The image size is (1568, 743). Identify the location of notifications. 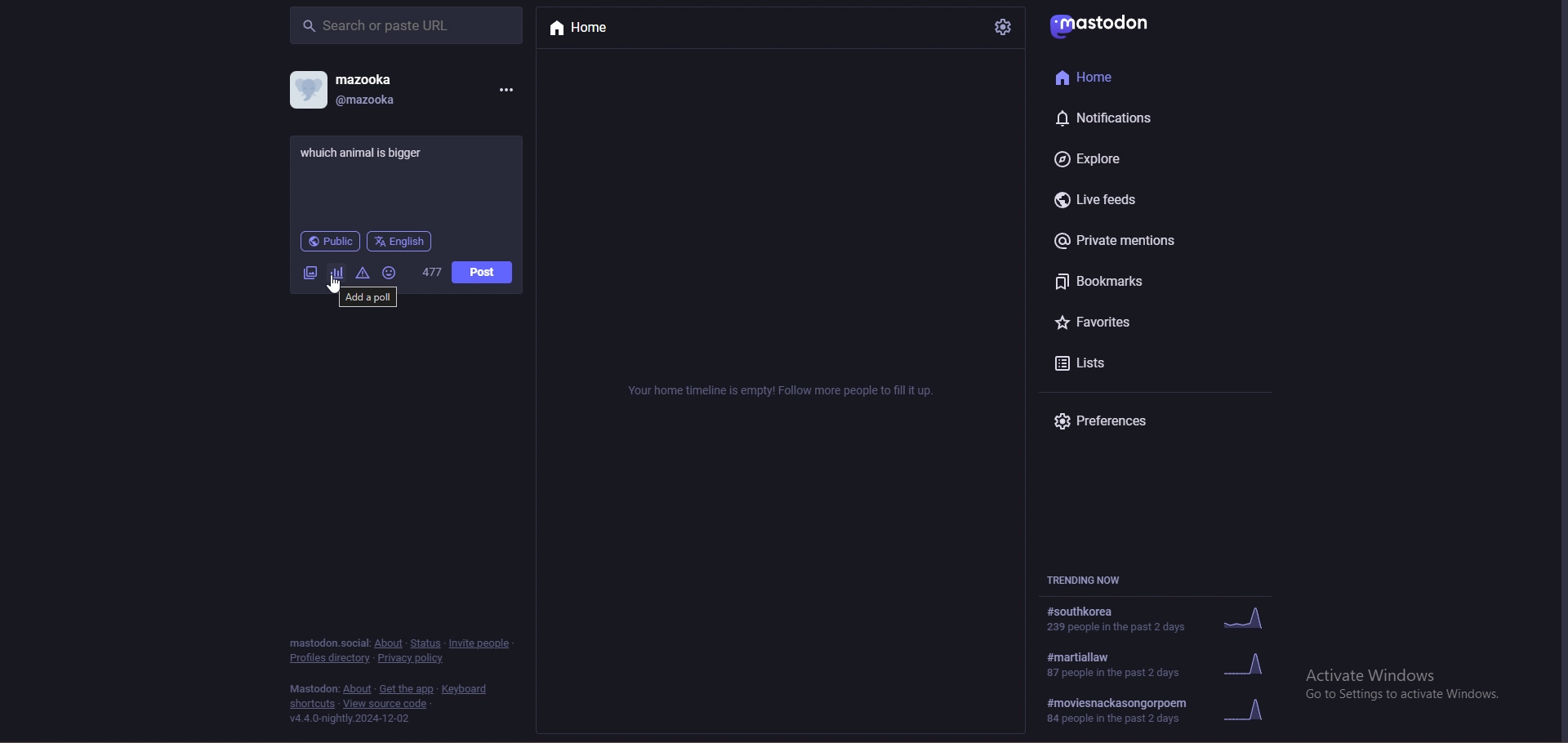
(1111, 118).